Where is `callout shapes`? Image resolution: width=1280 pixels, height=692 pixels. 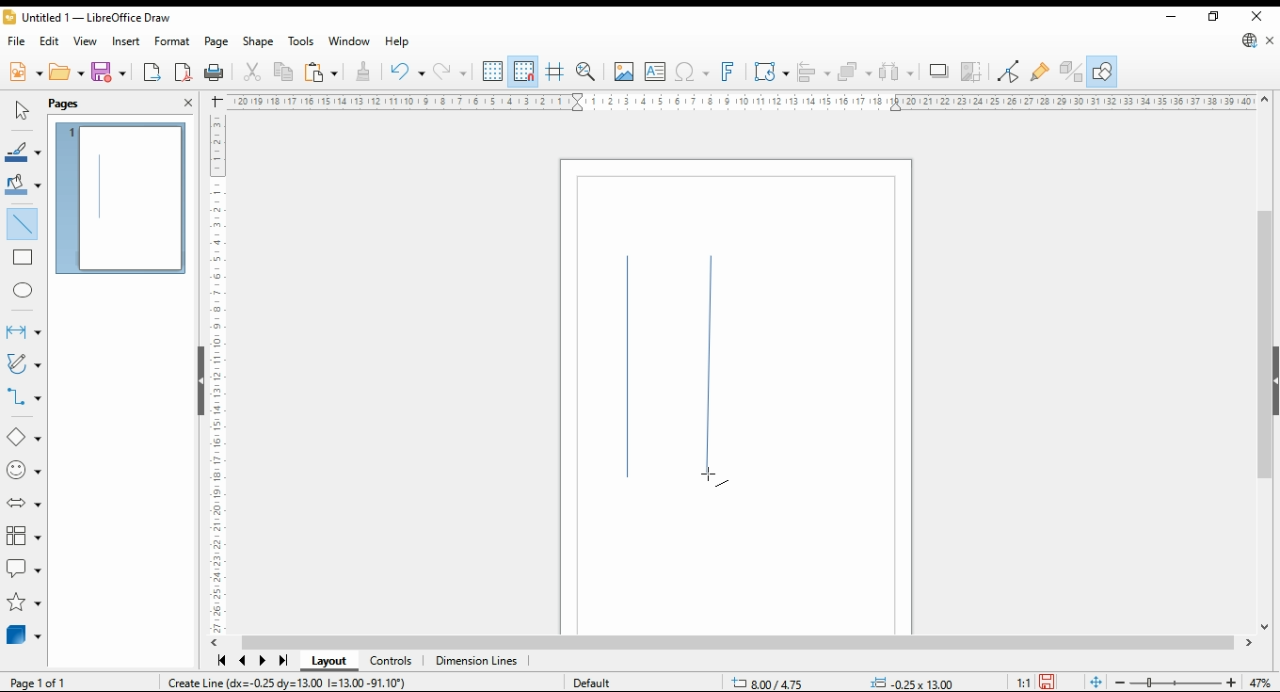 callout shapes is located at coordinates (24, 569).